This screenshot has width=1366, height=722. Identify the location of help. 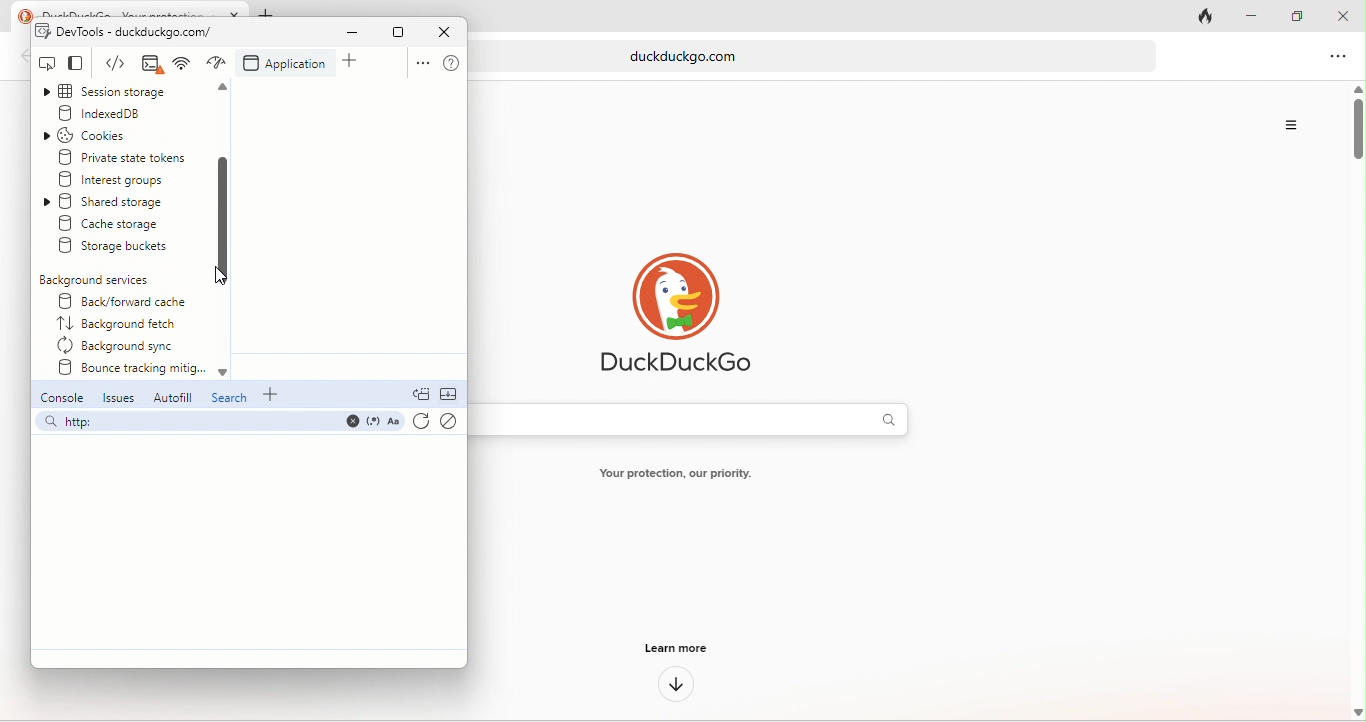
(452, 64).